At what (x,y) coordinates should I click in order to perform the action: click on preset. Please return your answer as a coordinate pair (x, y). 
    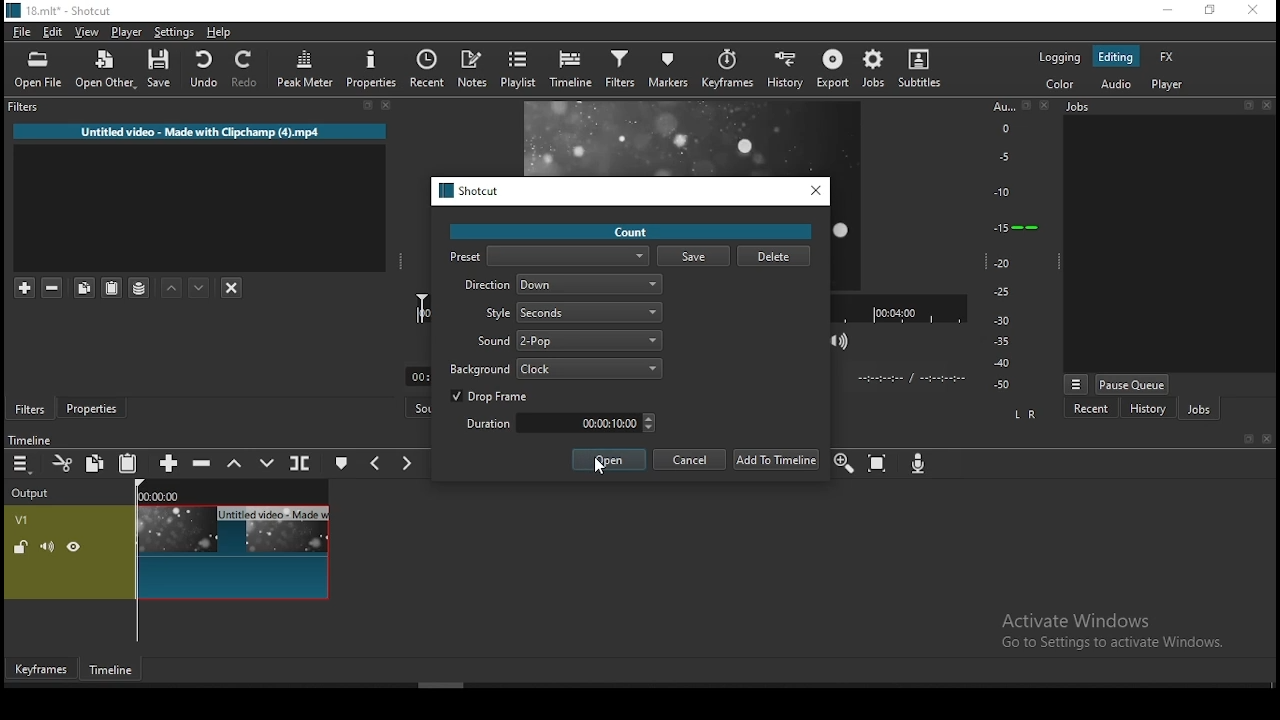
    Looking at the image, I should click on (555, 256).